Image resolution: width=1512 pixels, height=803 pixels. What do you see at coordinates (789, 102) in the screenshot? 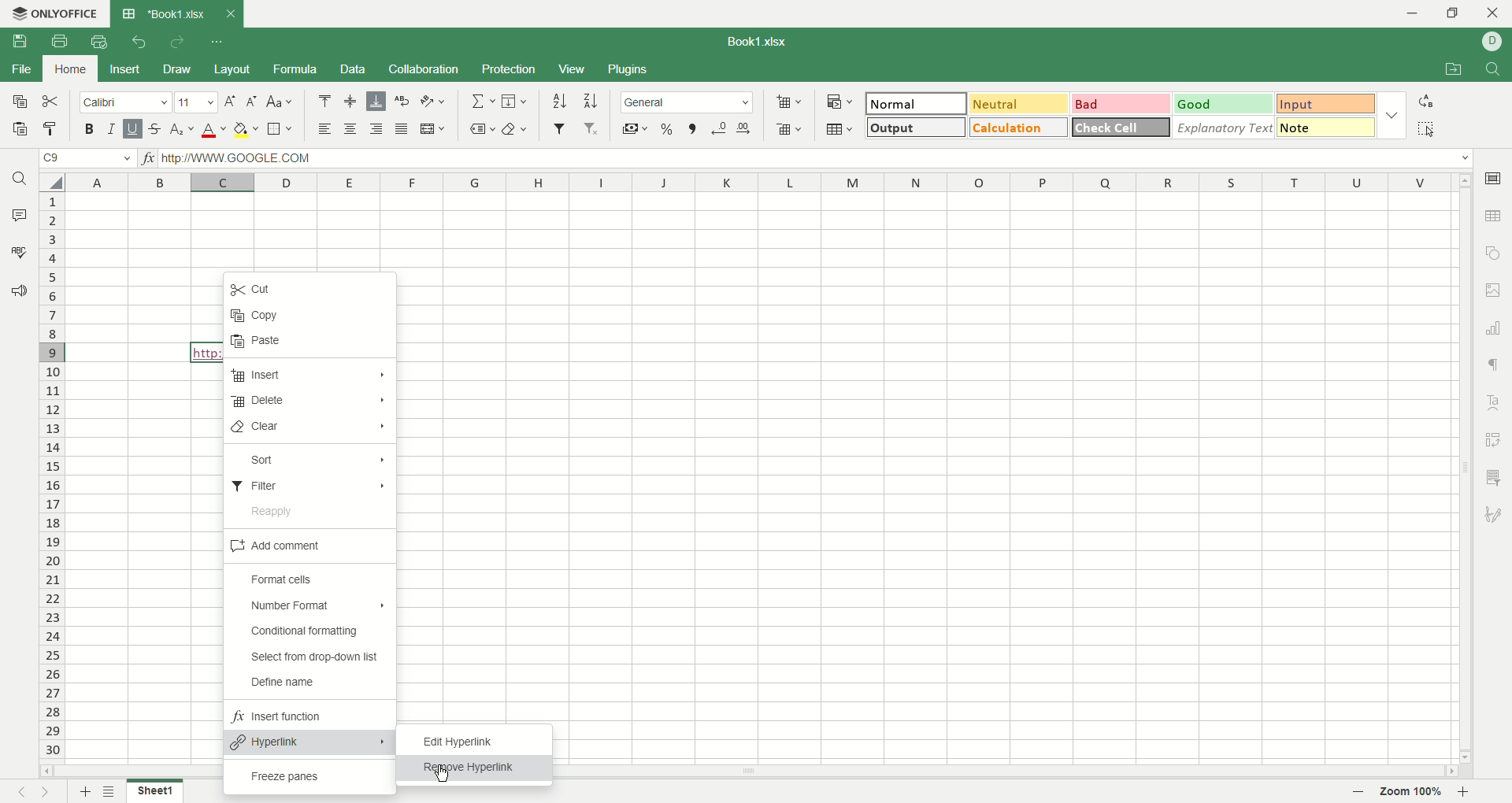
I see `insert cell` at bounding box center [789, 102].